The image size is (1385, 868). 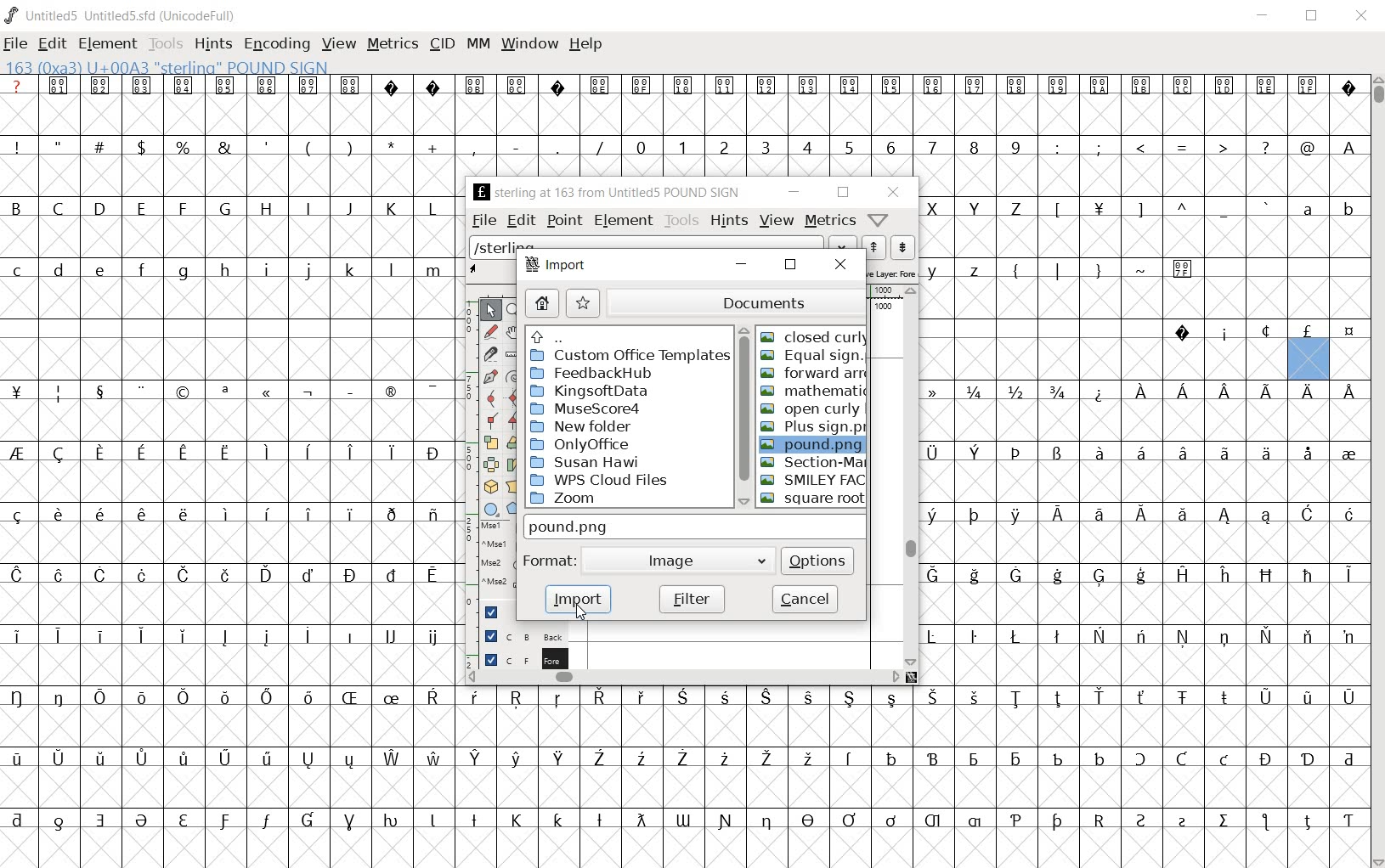 I want to click on Symbol, so click(x=724, y=759).